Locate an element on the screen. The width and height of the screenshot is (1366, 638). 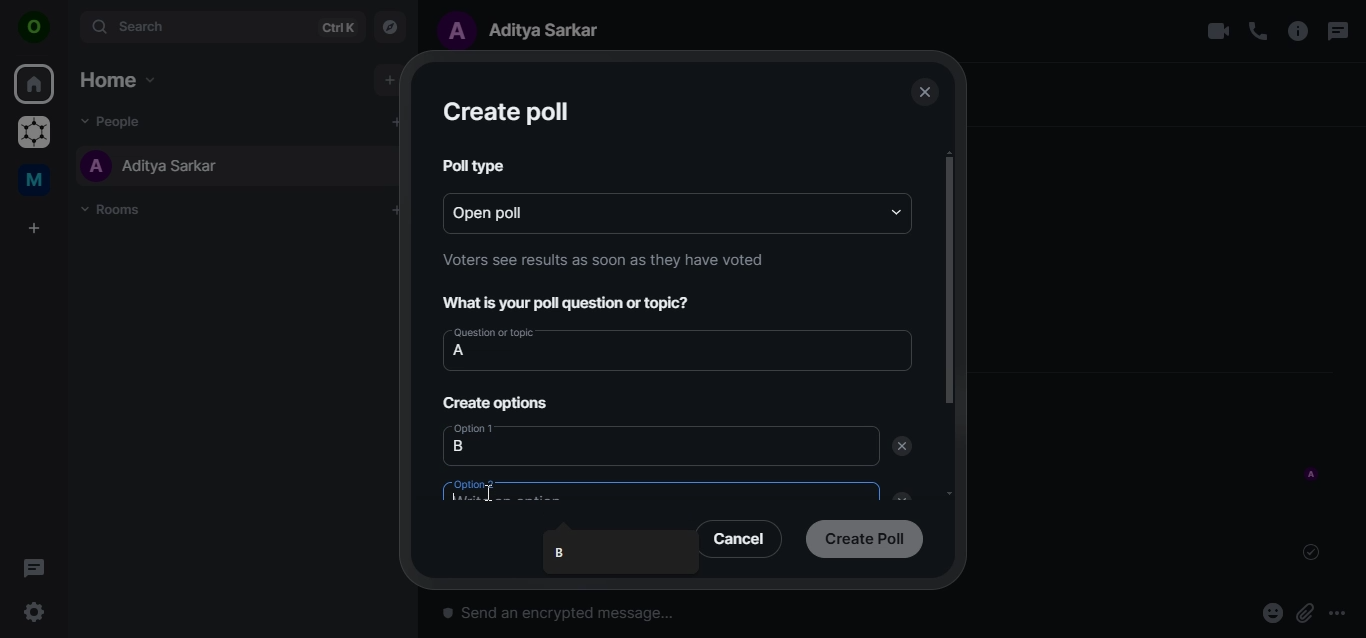
message sent by  is located at coordinates (1313, 475).